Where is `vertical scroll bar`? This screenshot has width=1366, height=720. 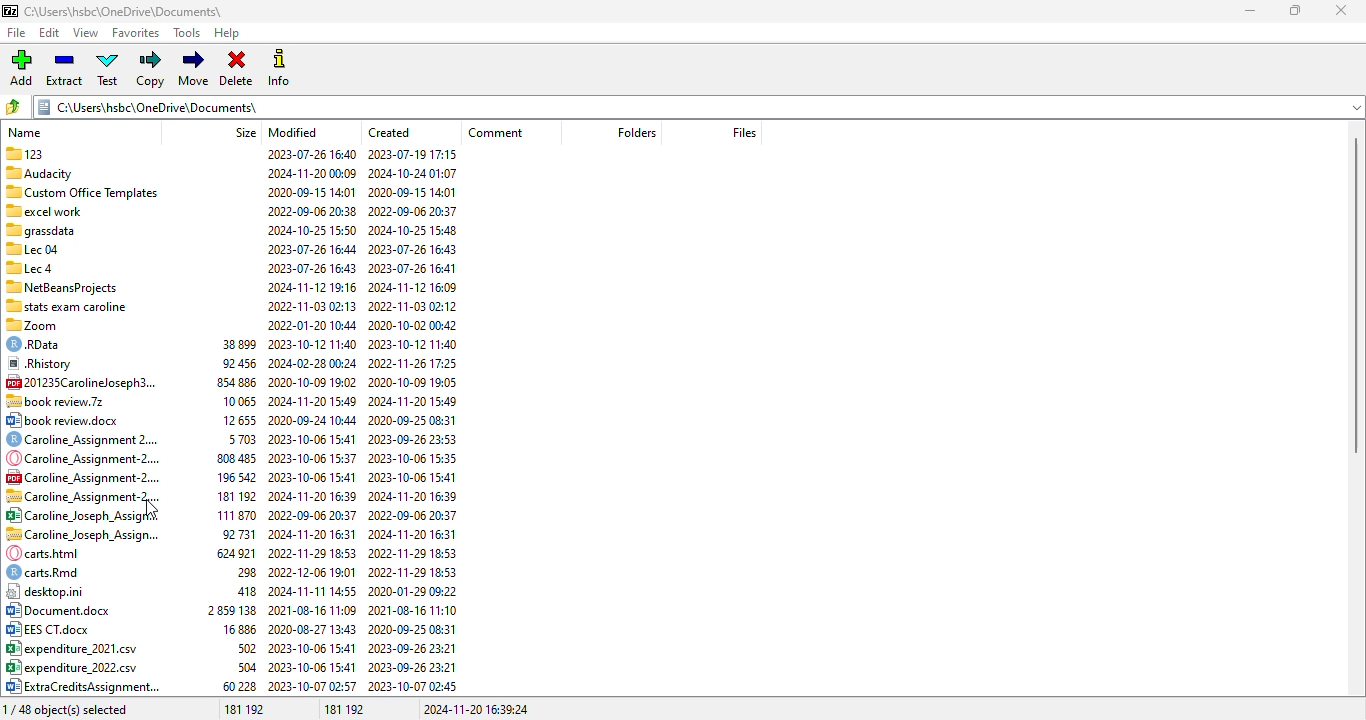
vertical scroll bar is located at coordinates (1356, 294).